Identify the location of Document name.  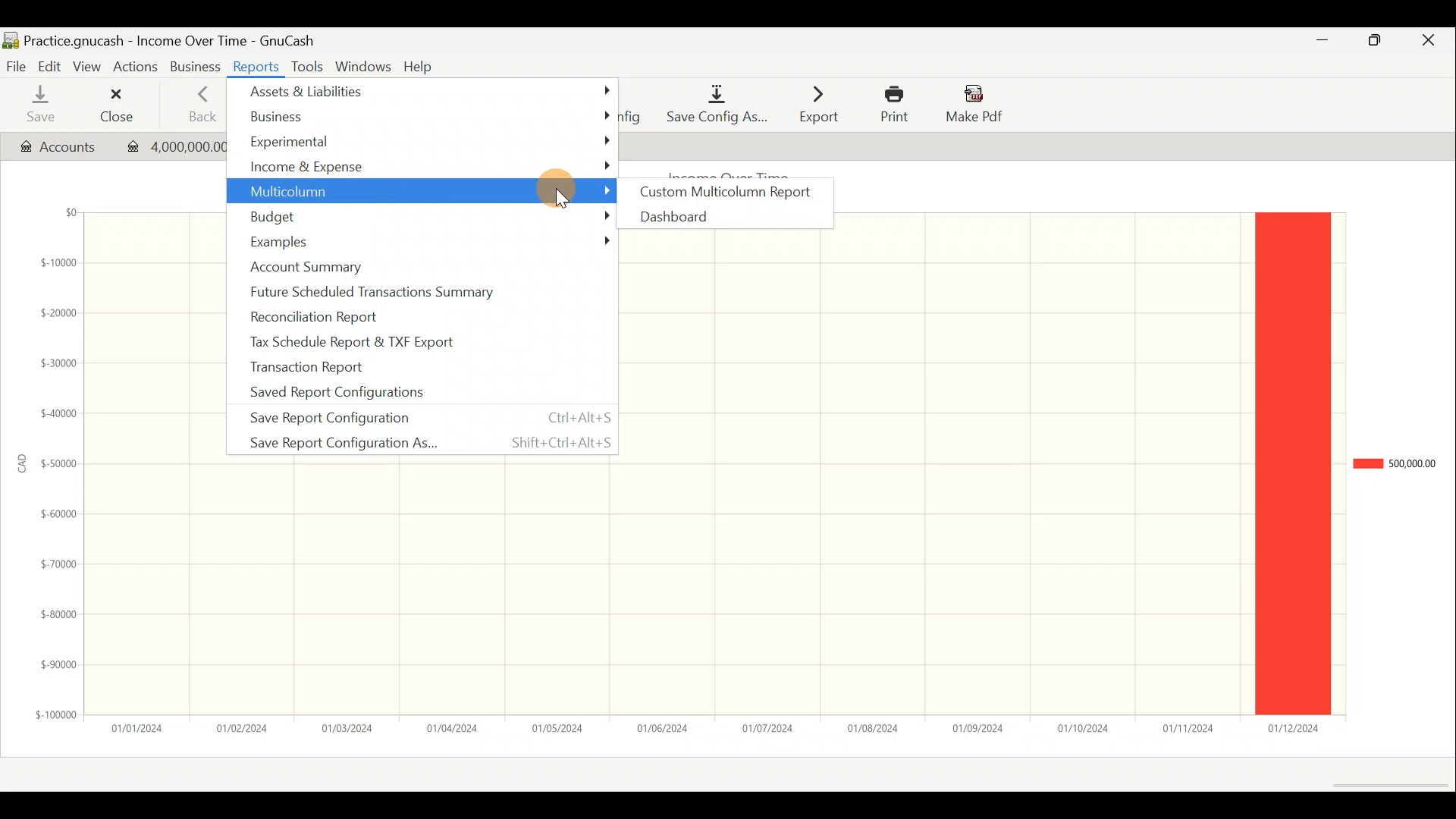
(169, 36).